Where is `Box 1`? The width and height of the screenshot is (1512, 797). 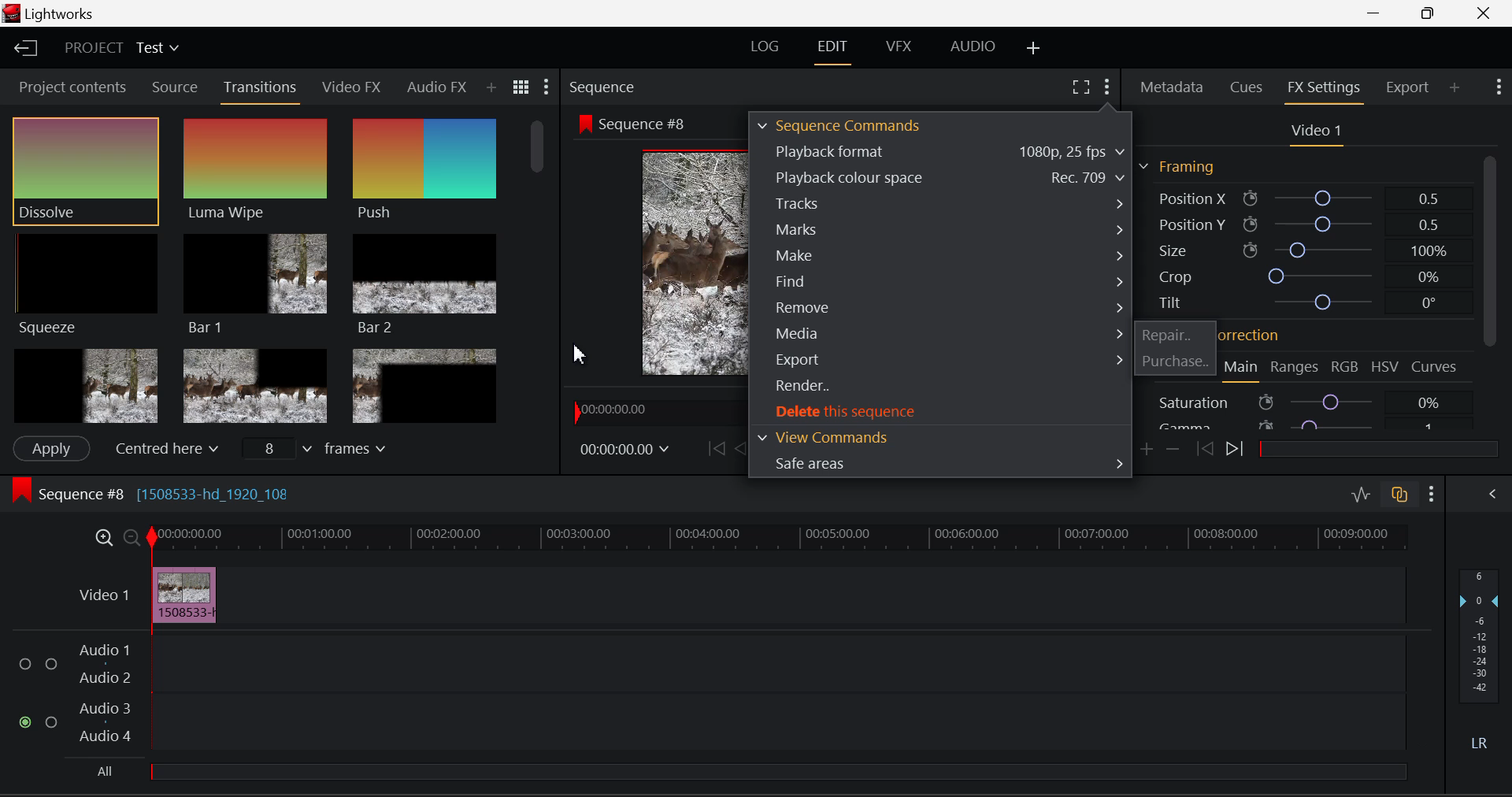
Box 1 is located at coordinates (84, 384).